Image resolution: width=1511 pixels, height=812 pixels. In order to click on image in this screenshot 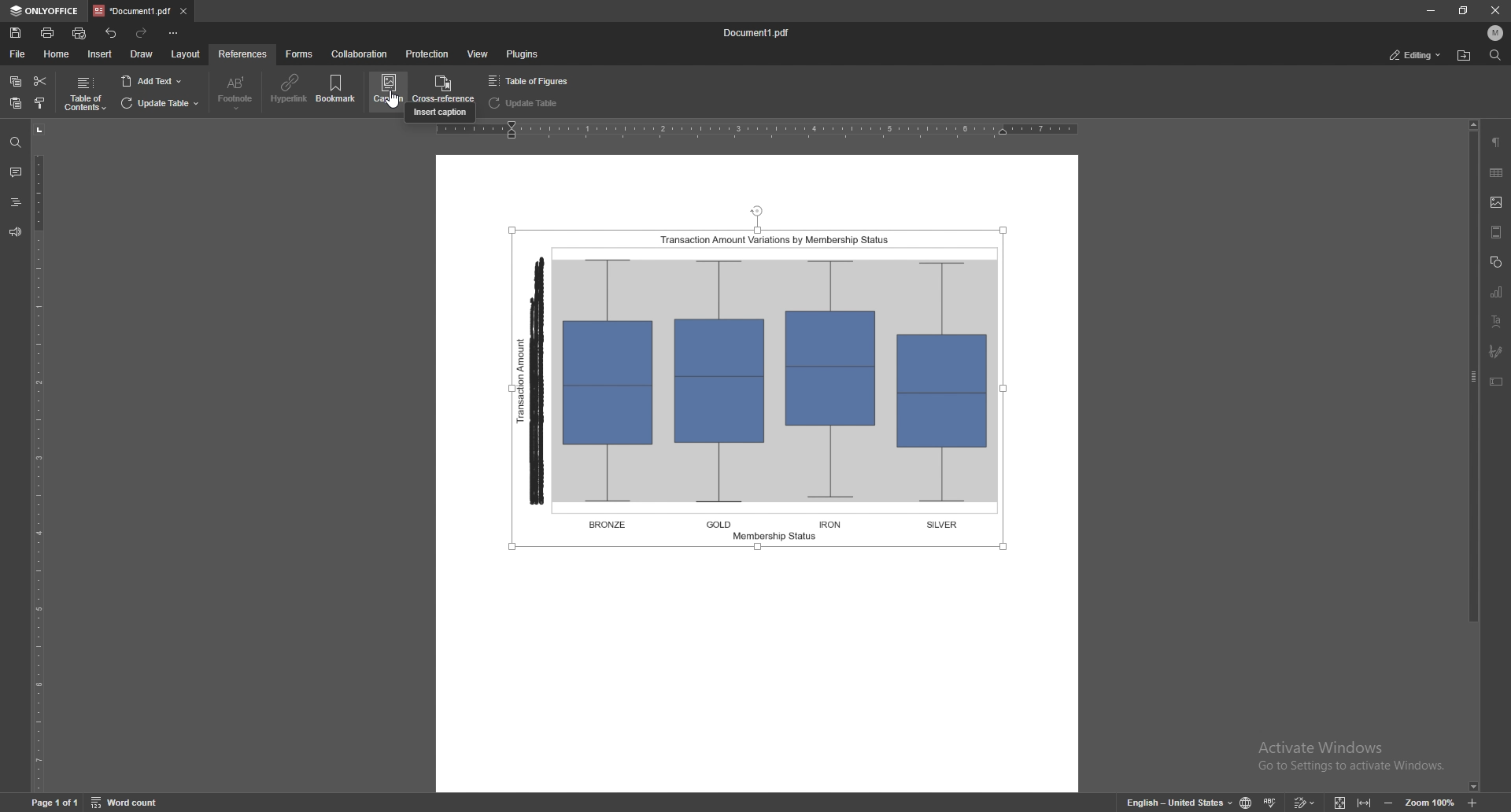, I will do `click(1498, 202)`.